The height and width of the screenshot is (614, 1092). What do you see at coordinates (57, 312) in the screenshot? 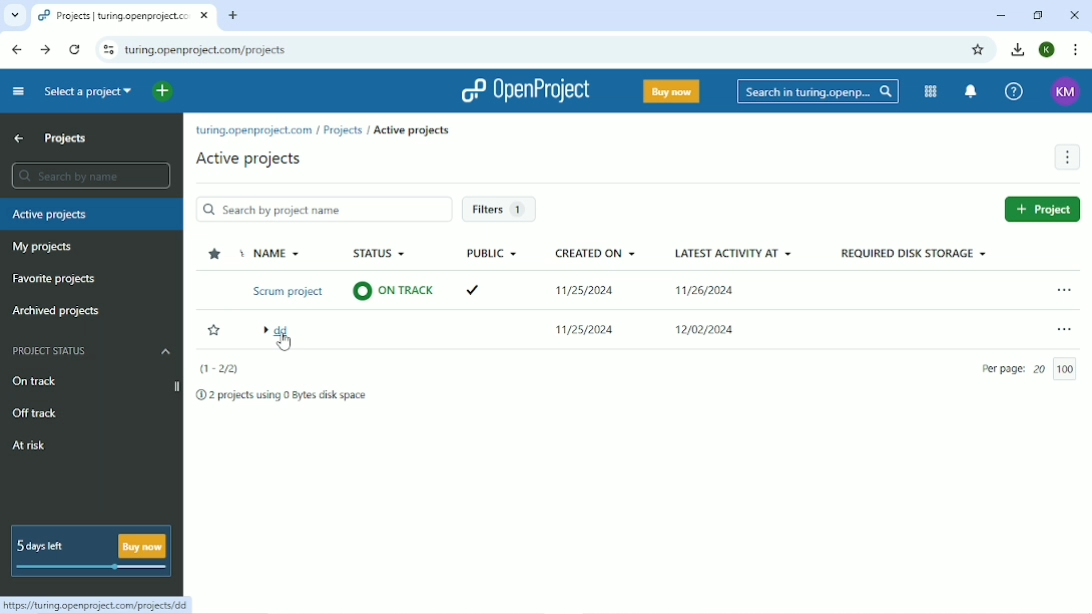
I see `Archived projects` at bounding box center [57, 312].